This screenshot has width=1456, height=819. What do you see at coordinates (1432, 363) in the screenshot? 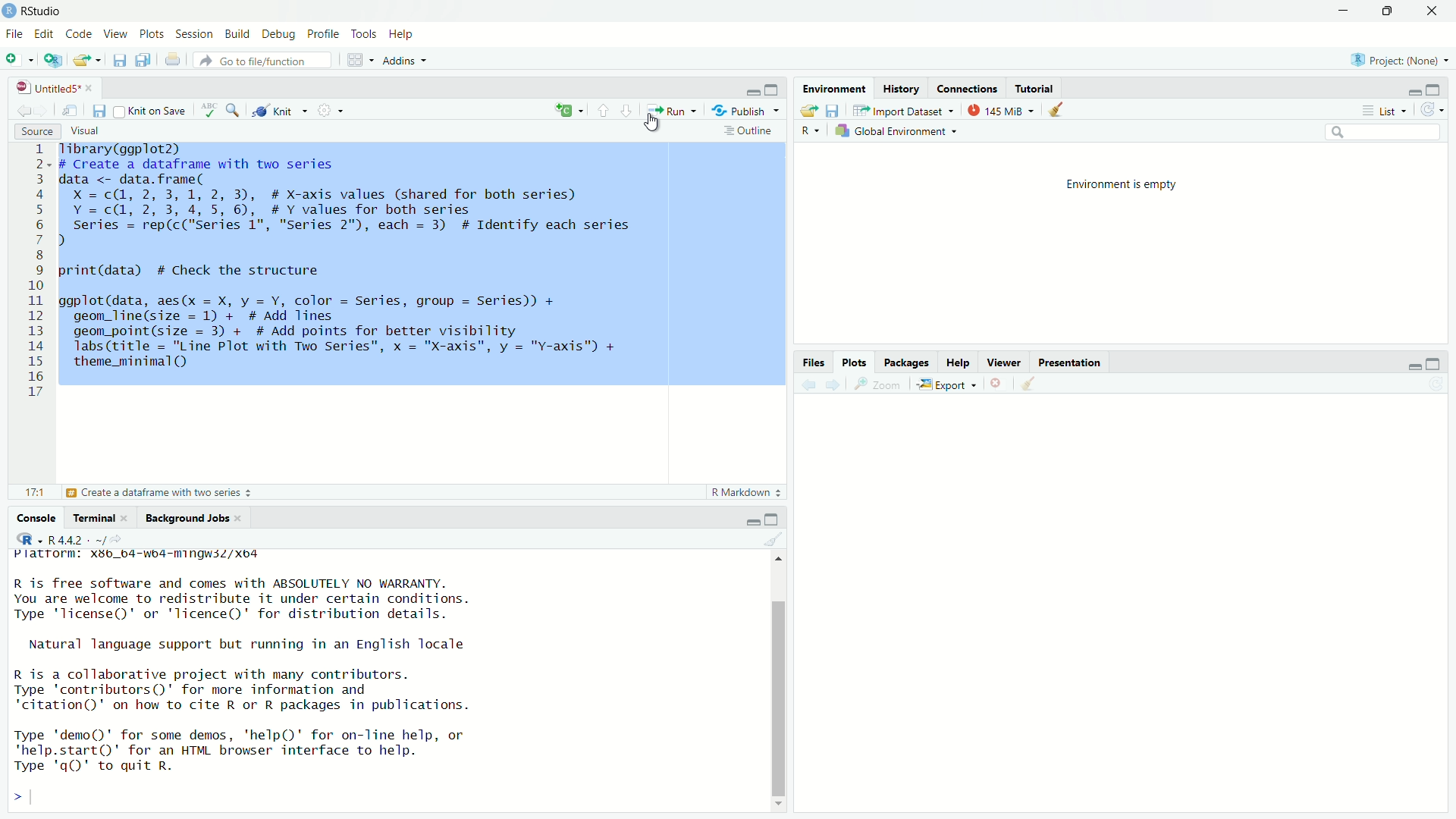
I see `Maximize` at bounding box center [1432, 363].